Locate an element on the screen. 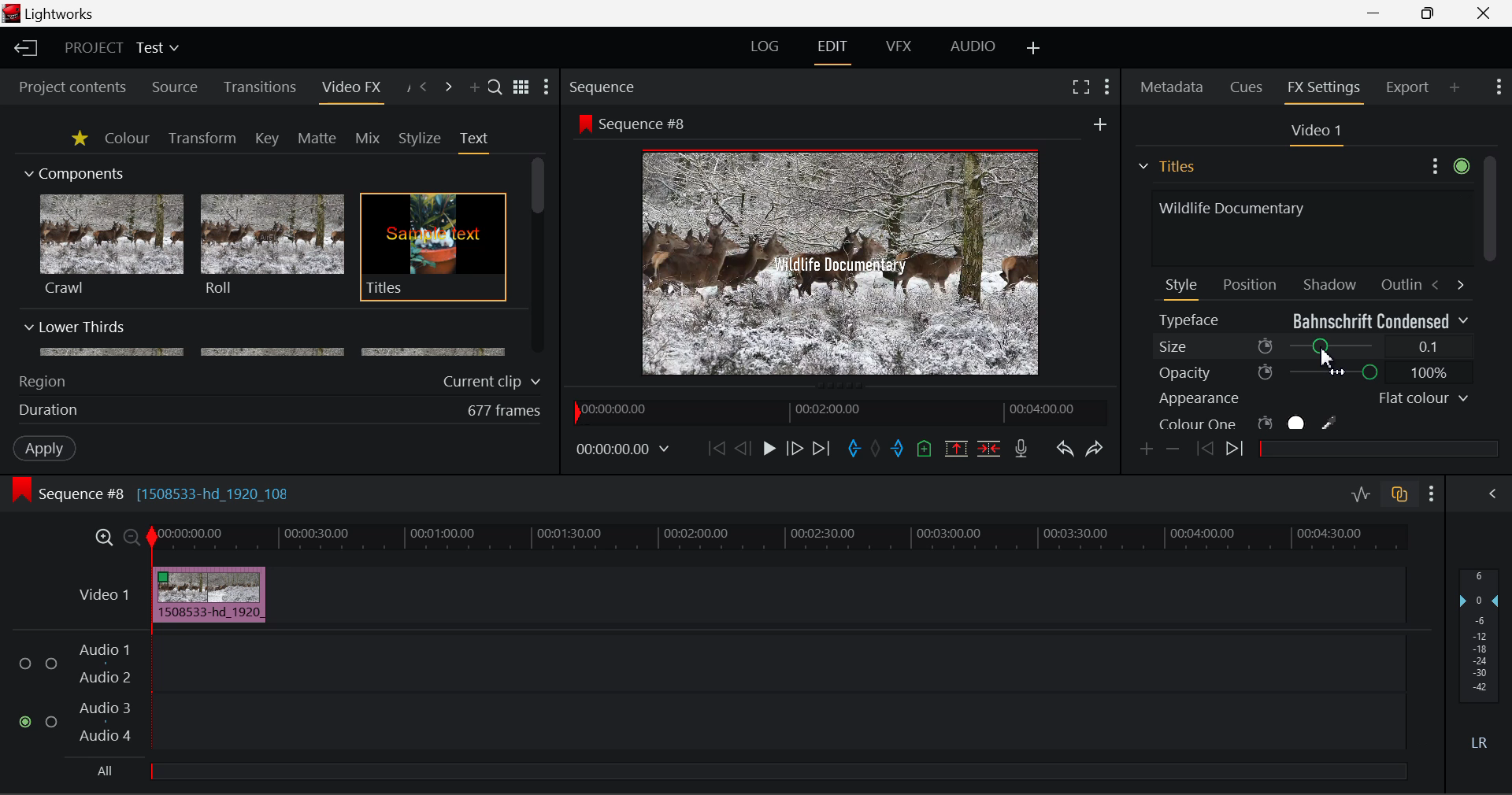 The width and height of the screenshot is (1512, 795). Toggle auto track sync is located at coordinates (1403, 494).